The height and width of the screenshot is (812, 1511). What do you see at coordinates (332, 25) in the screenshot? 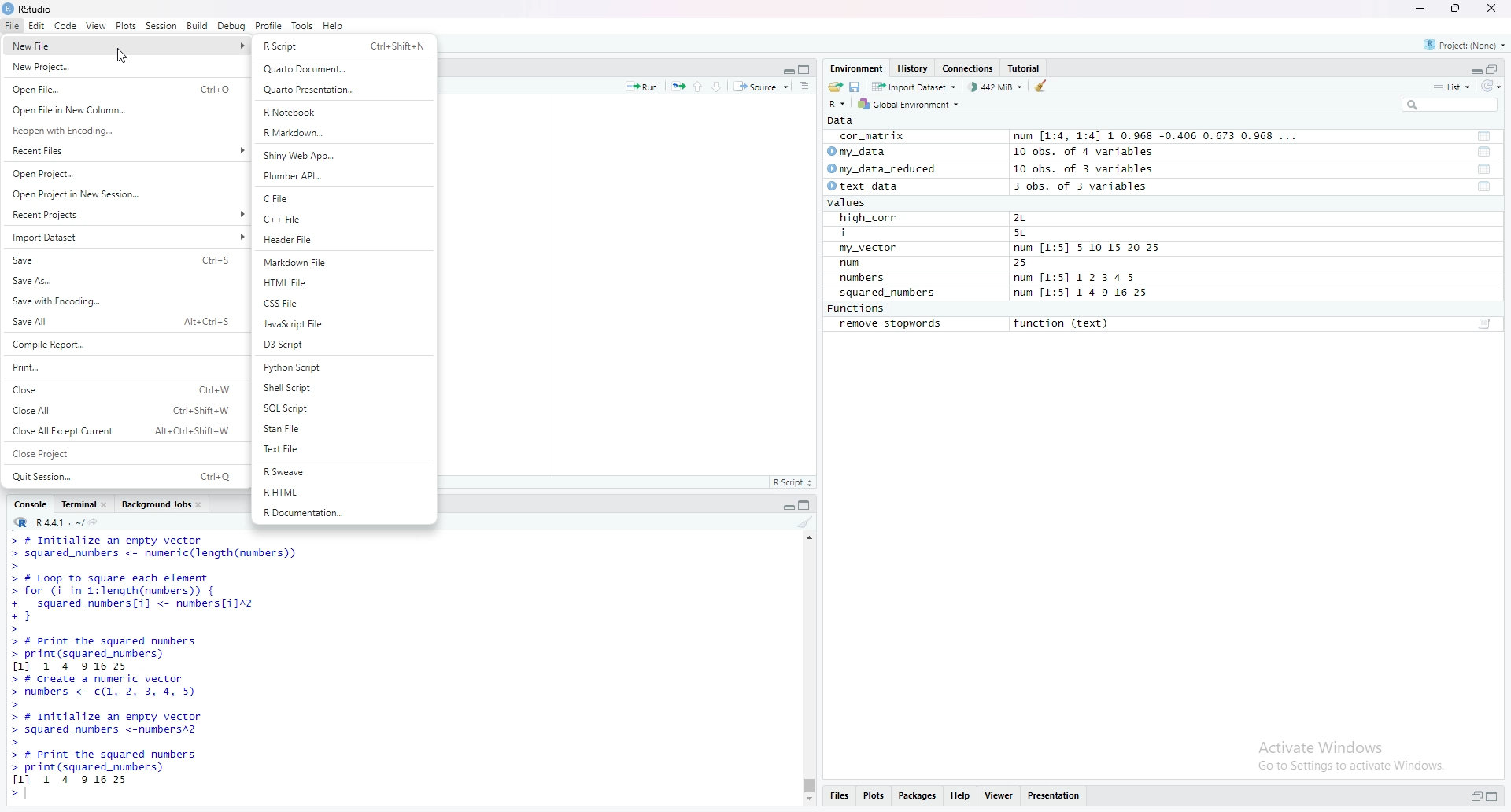
I see `Help` at bounding box center [332, 25].